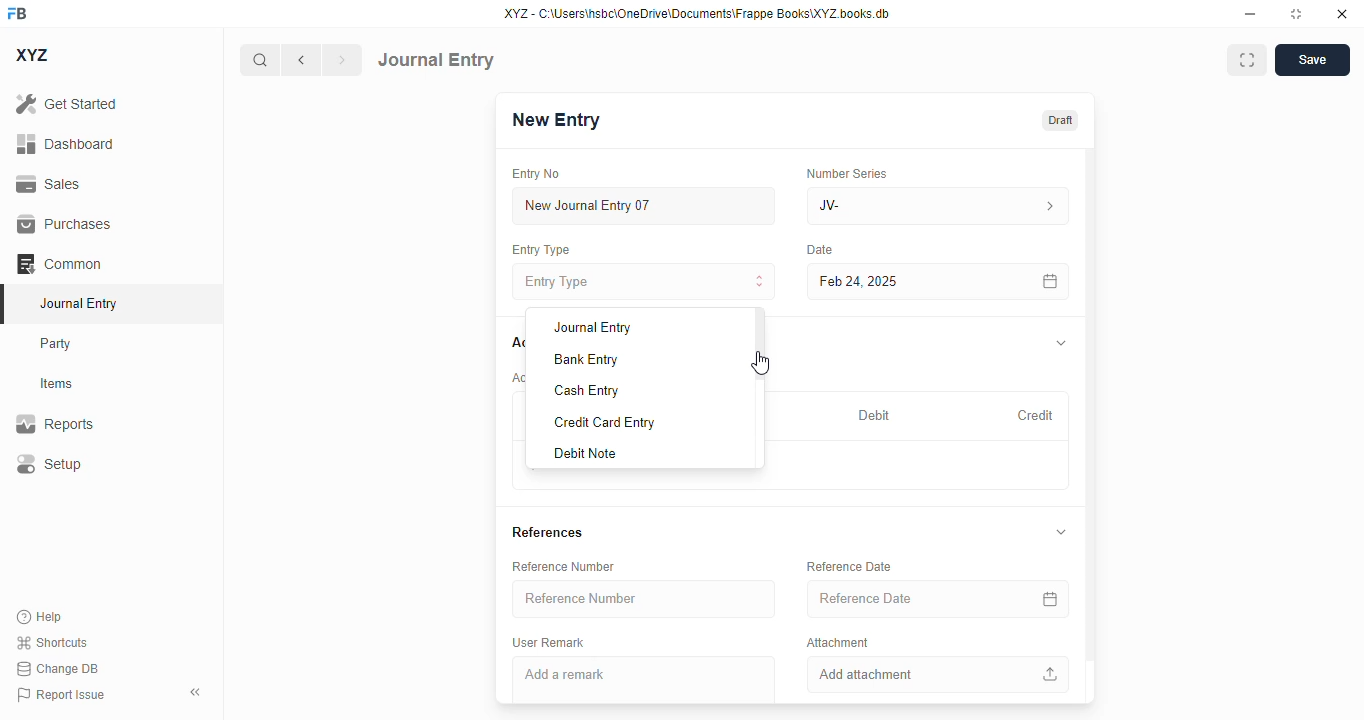 The height and width of the screenshot is (720, 1364). Describe the element at coordinates (537, 173) in the screenshot. I see `entry no` at that location.